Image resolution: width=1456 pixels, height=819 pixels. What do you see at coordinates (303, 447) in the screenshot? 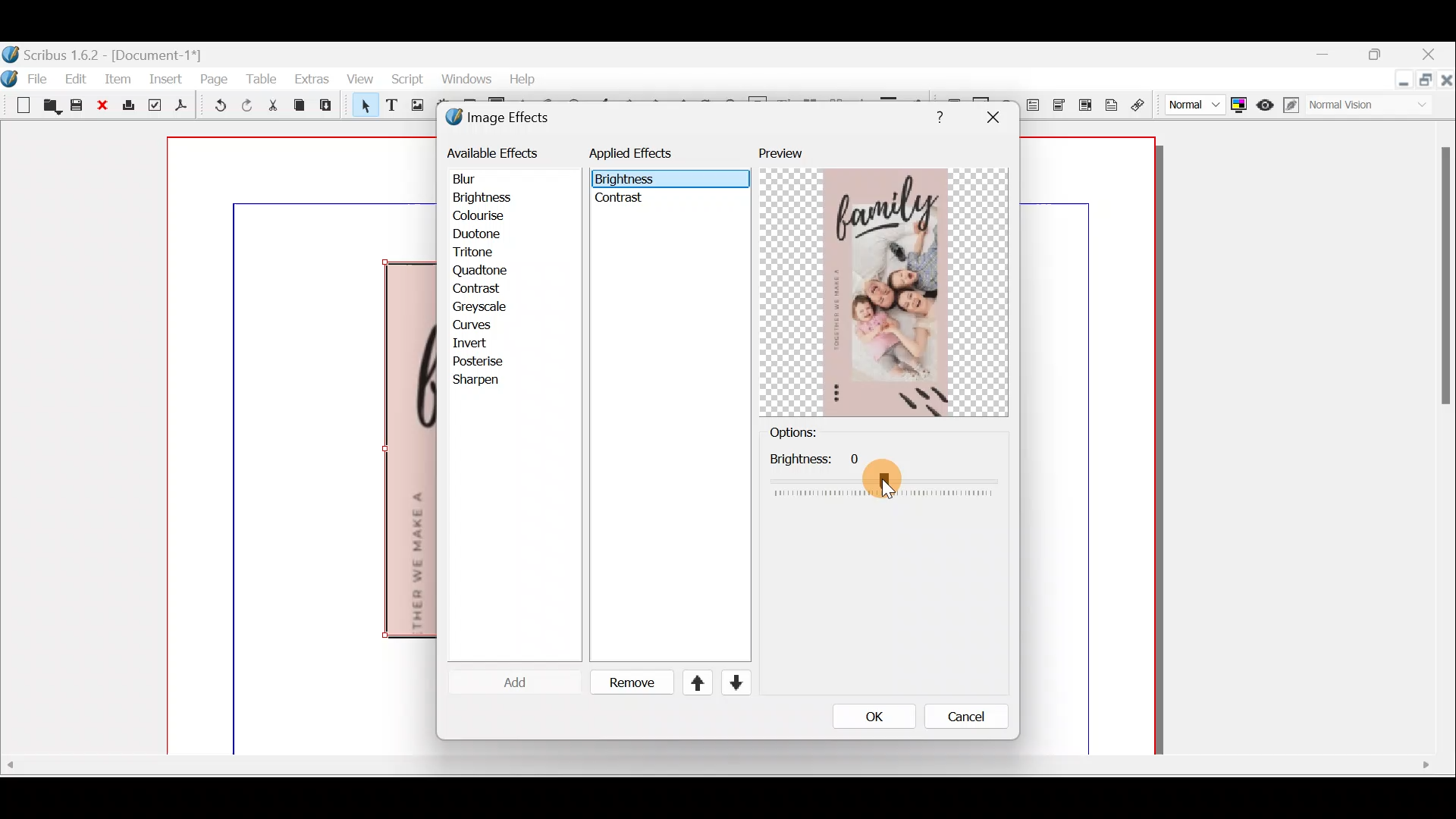
I see `Canvas` at bounding box center [303, 447].